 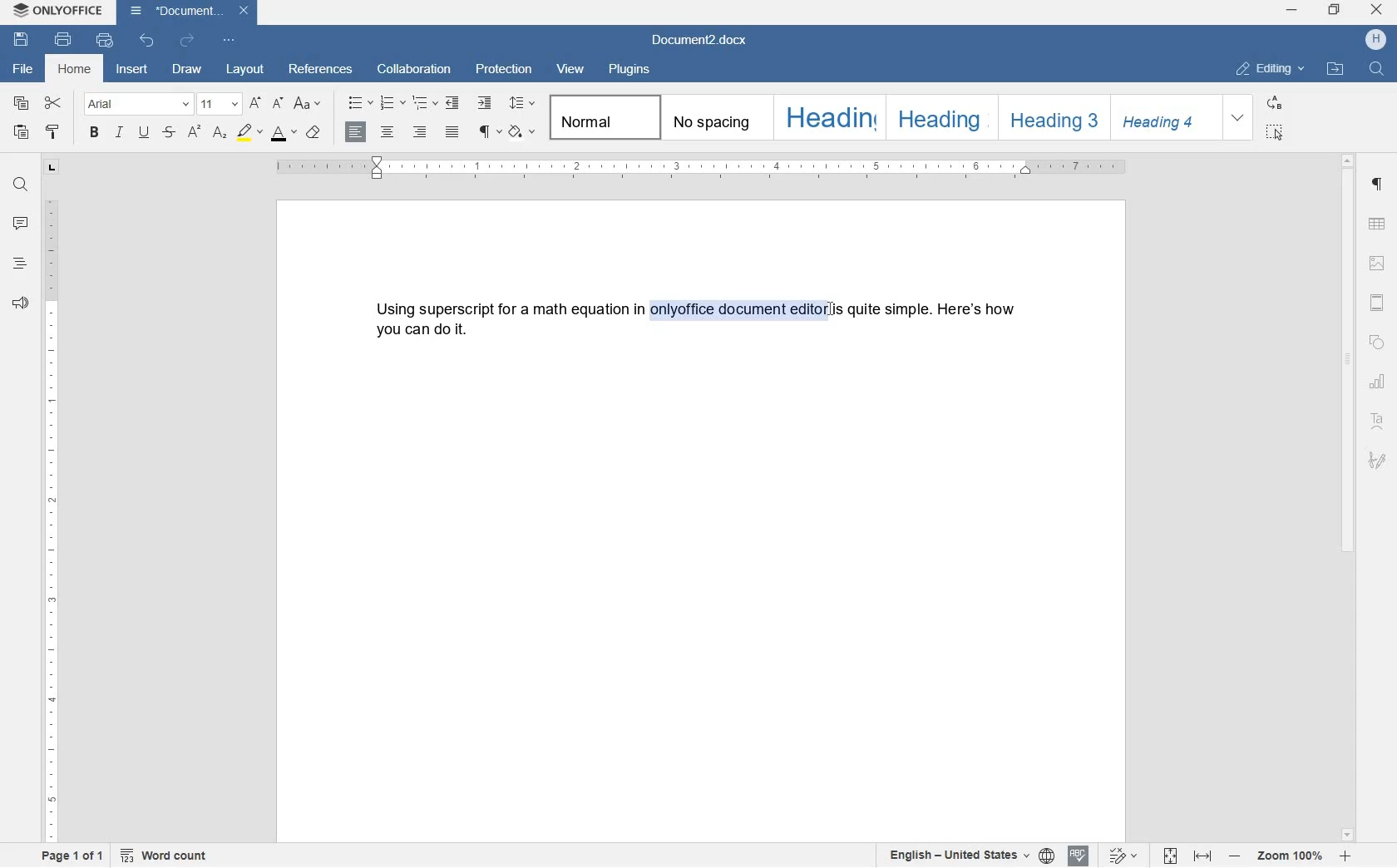 I want to click on copy style, so click(x=52, y=133).